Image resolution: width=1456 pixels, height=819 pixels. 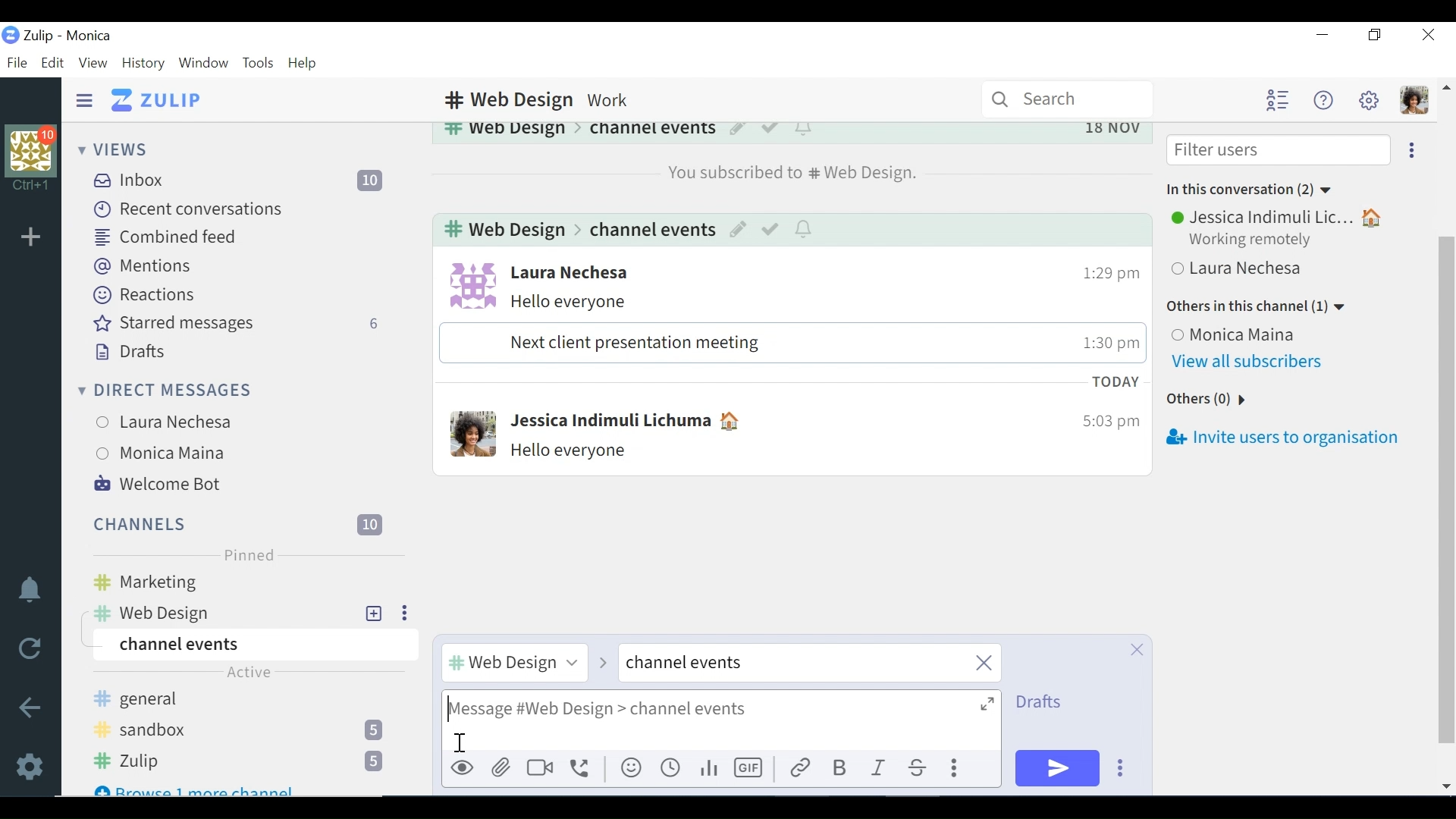 What do you see at coordinates (540, 768) in the screenshot?
I see `Add video call` at bounding box center [540, 768].